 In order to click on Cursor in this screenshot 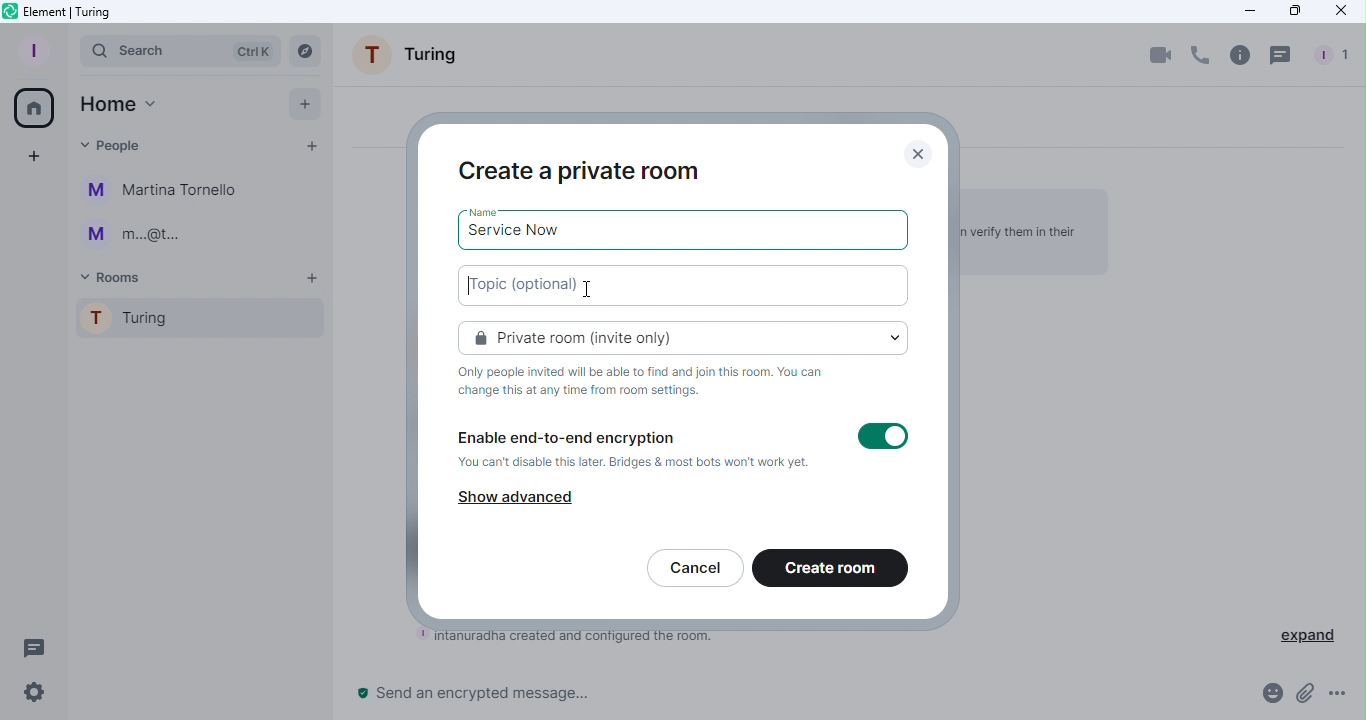, I will do `click(584, 292)`.